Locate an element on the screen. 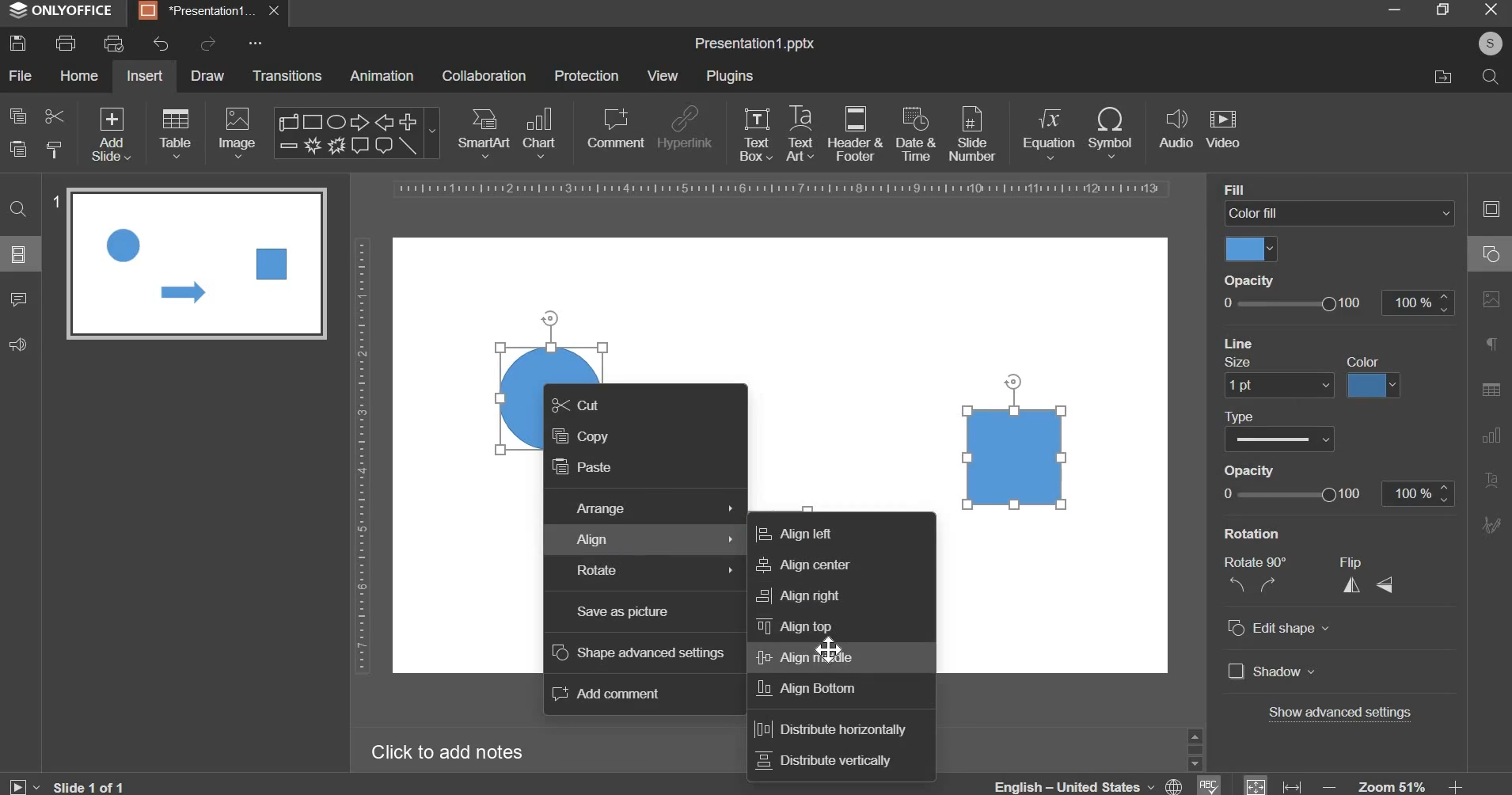  slide is located at coordinates (19, 253).